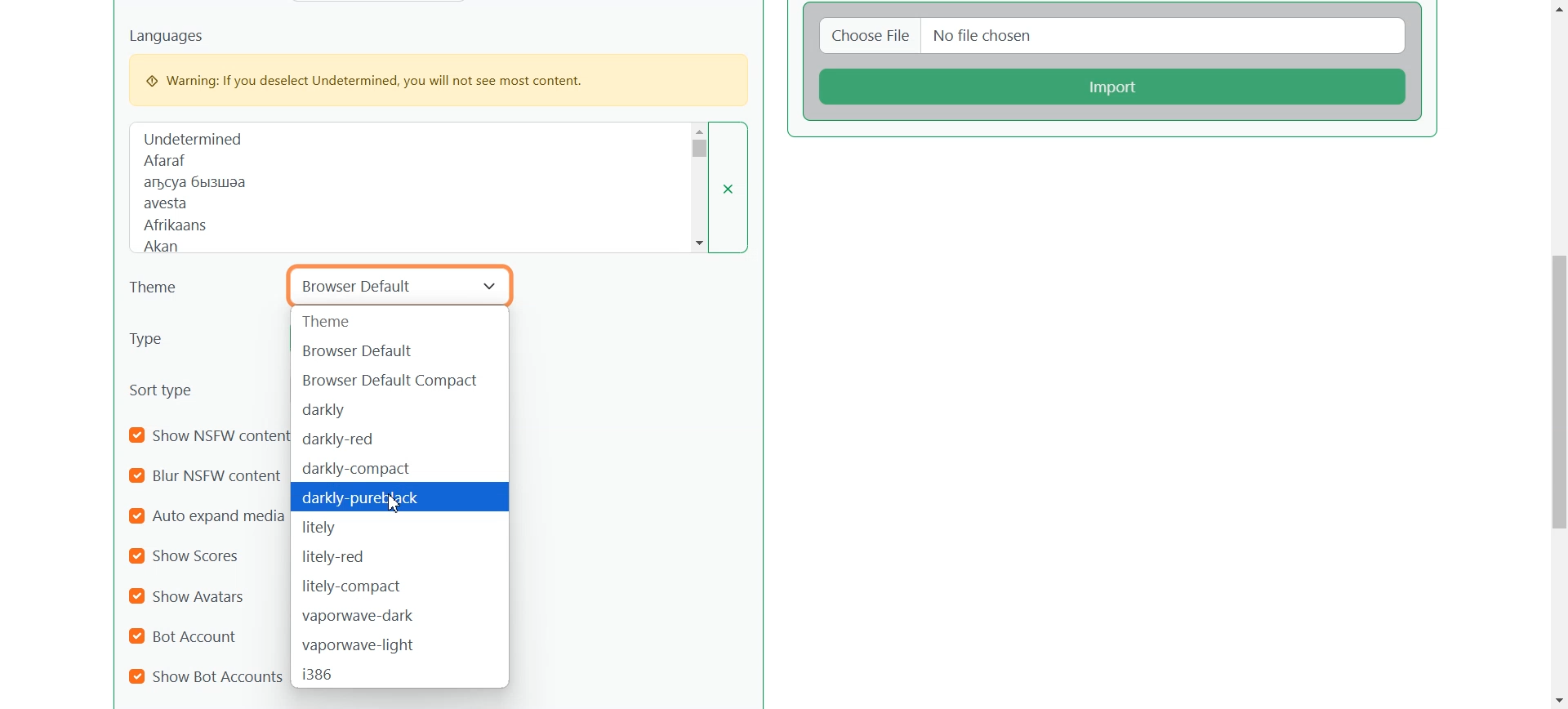  What do you see at coordinates (1557, 354) in the screenshot?
I see `Vertical Scroll bar` at bounding box center [1557, 354].